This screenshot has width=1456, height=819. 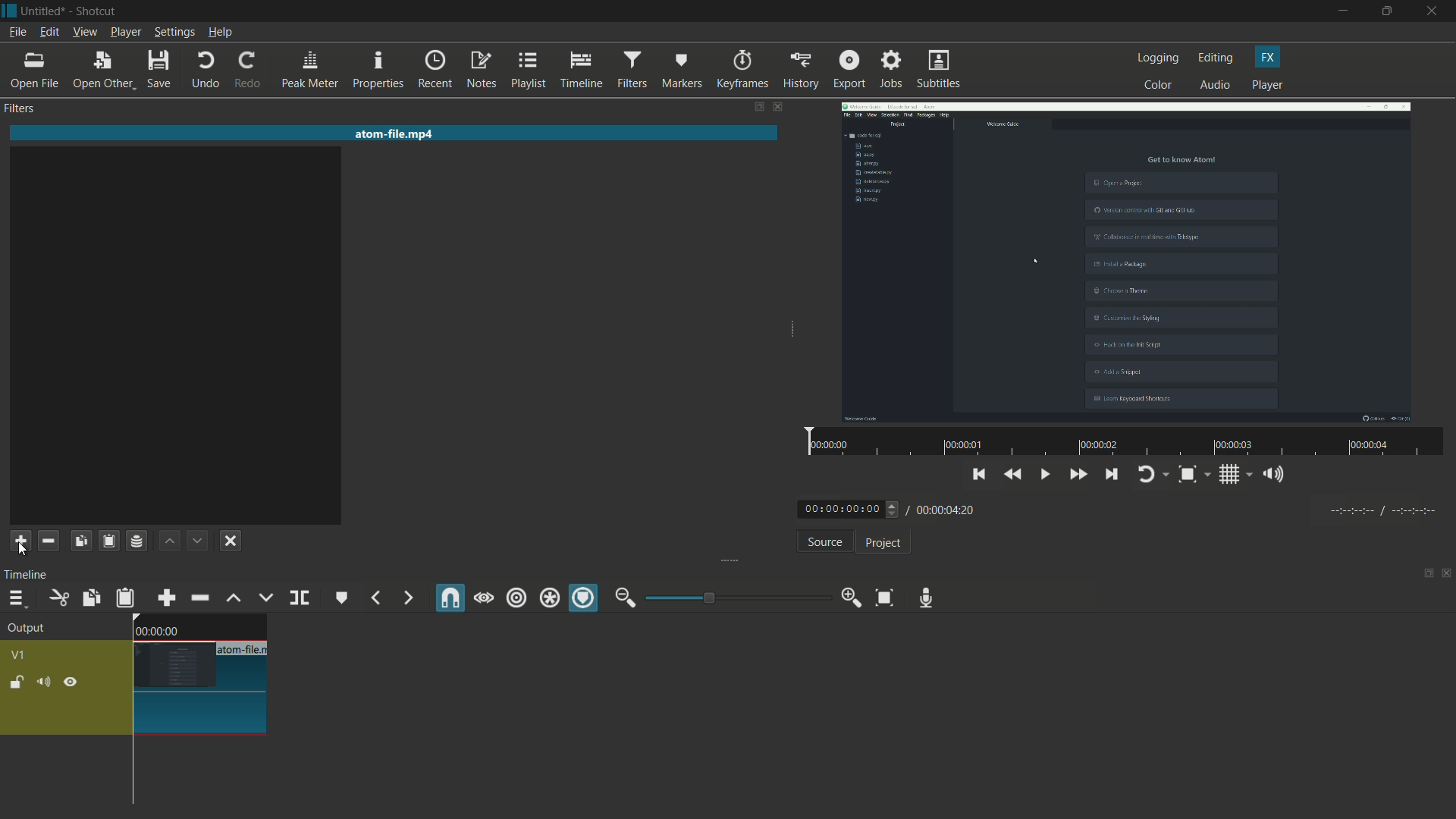 I want to click on quickly play forward, so click(x=1079, y=476).